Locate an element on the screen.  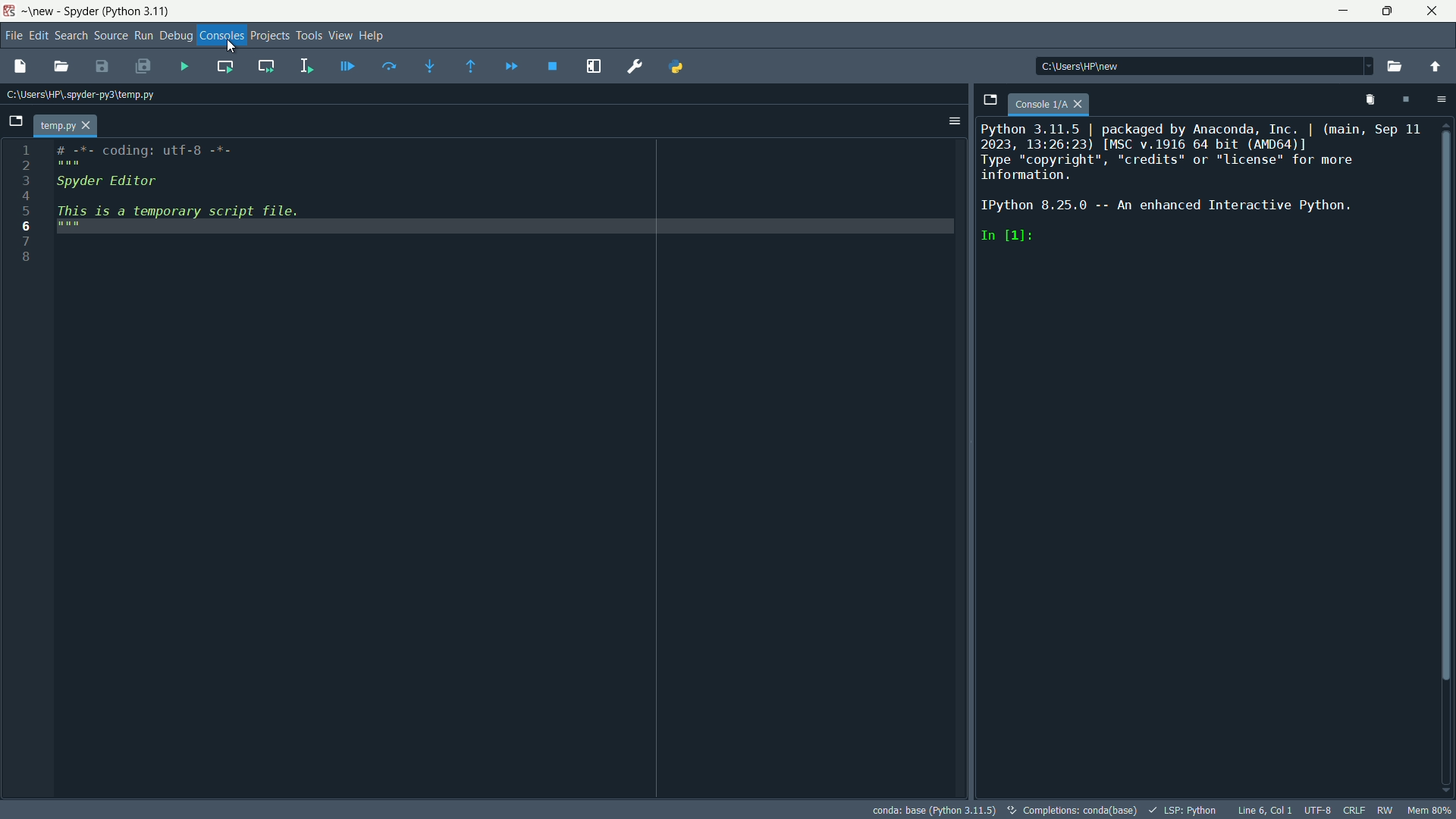
interrupt kernal is located at coordinates (1407, 99).